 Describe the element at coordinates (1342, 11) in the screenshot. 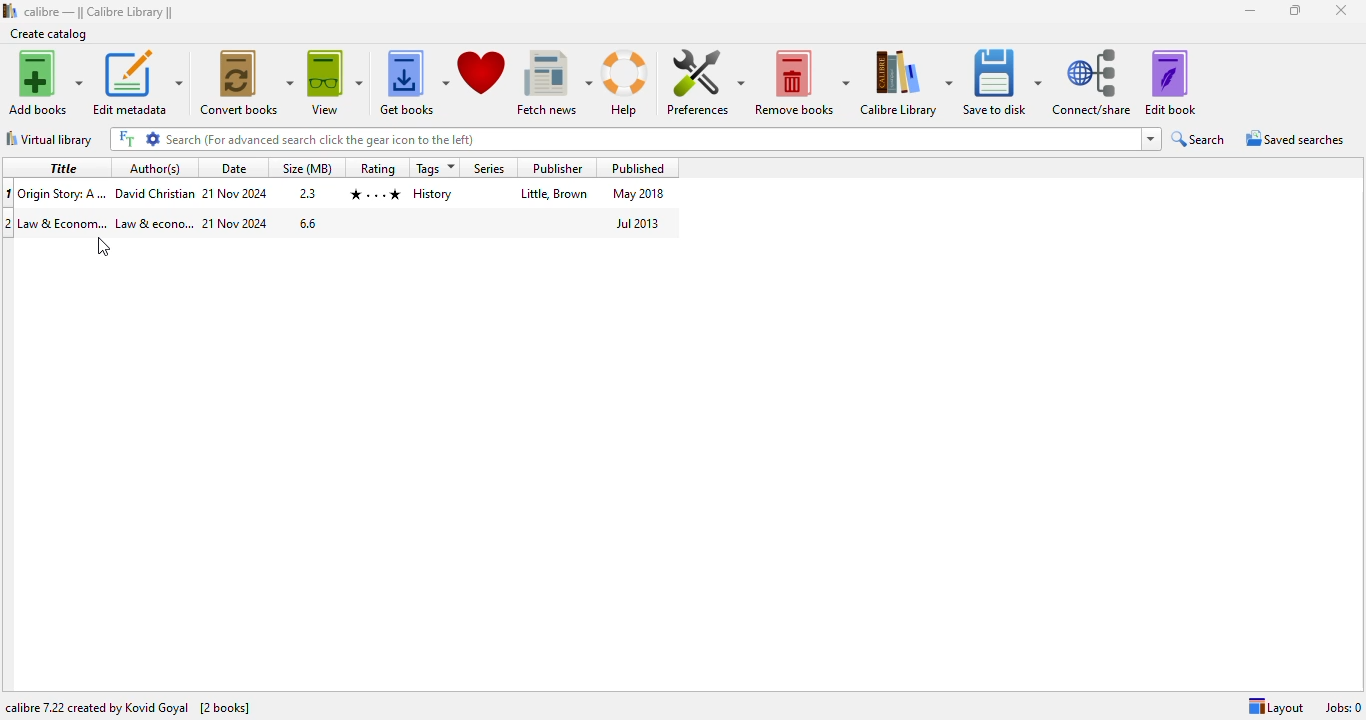

I see `close` at that location.